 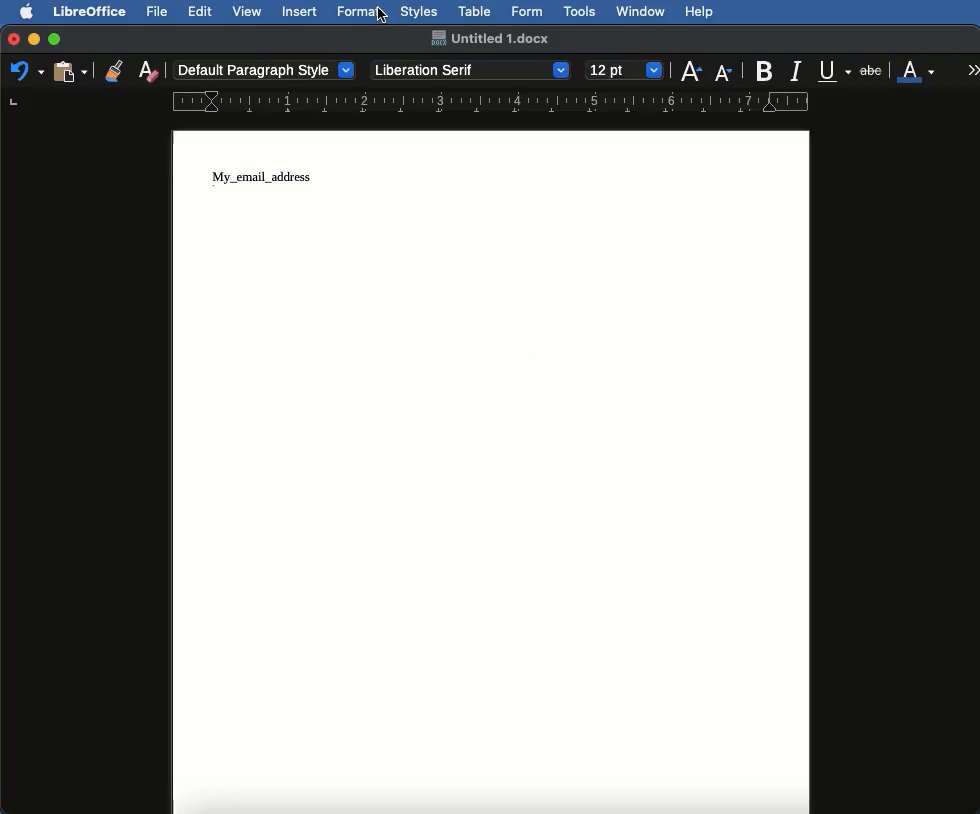 What do you see at coordinates (14, 40) in the screenshot?
I see `Close` at bounding box center [14, 40].